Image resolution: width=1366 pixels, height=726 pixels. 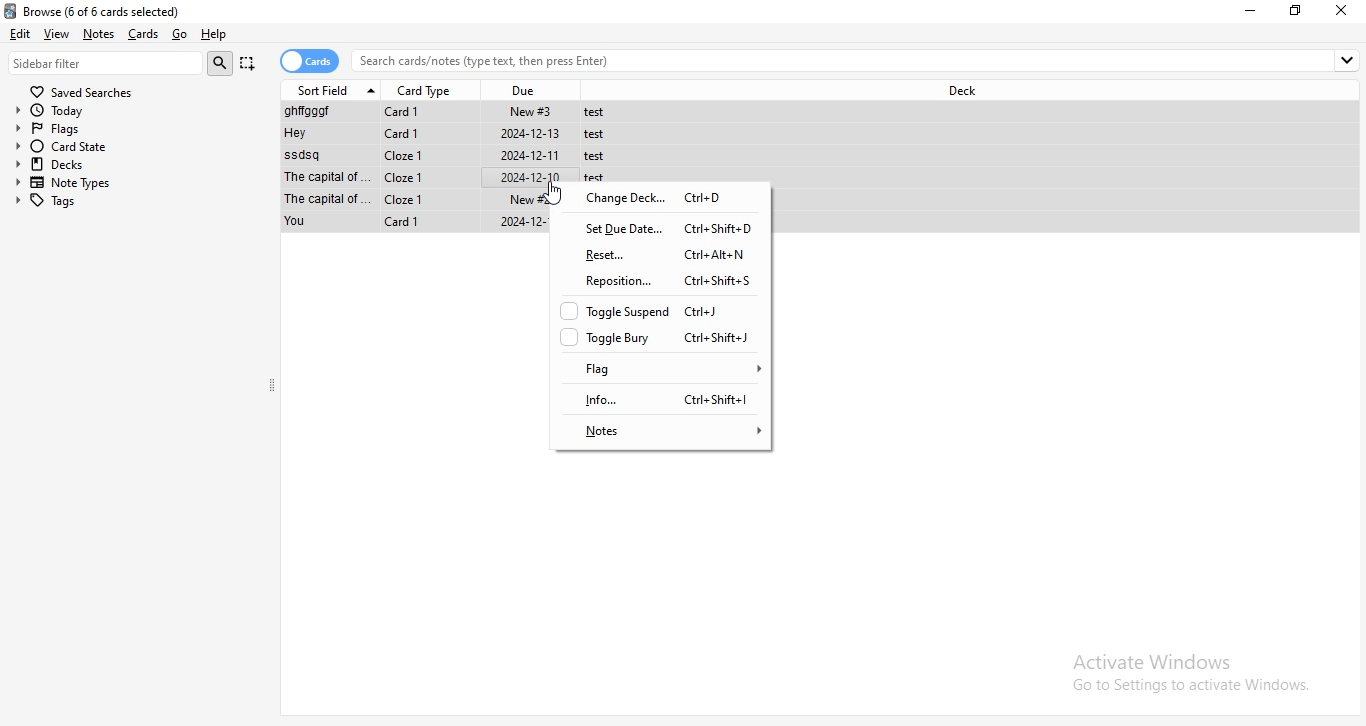 What do you see at coordinates (663, 226) in the screenshot?
I see `set due date` at bounding box center [663, 226].